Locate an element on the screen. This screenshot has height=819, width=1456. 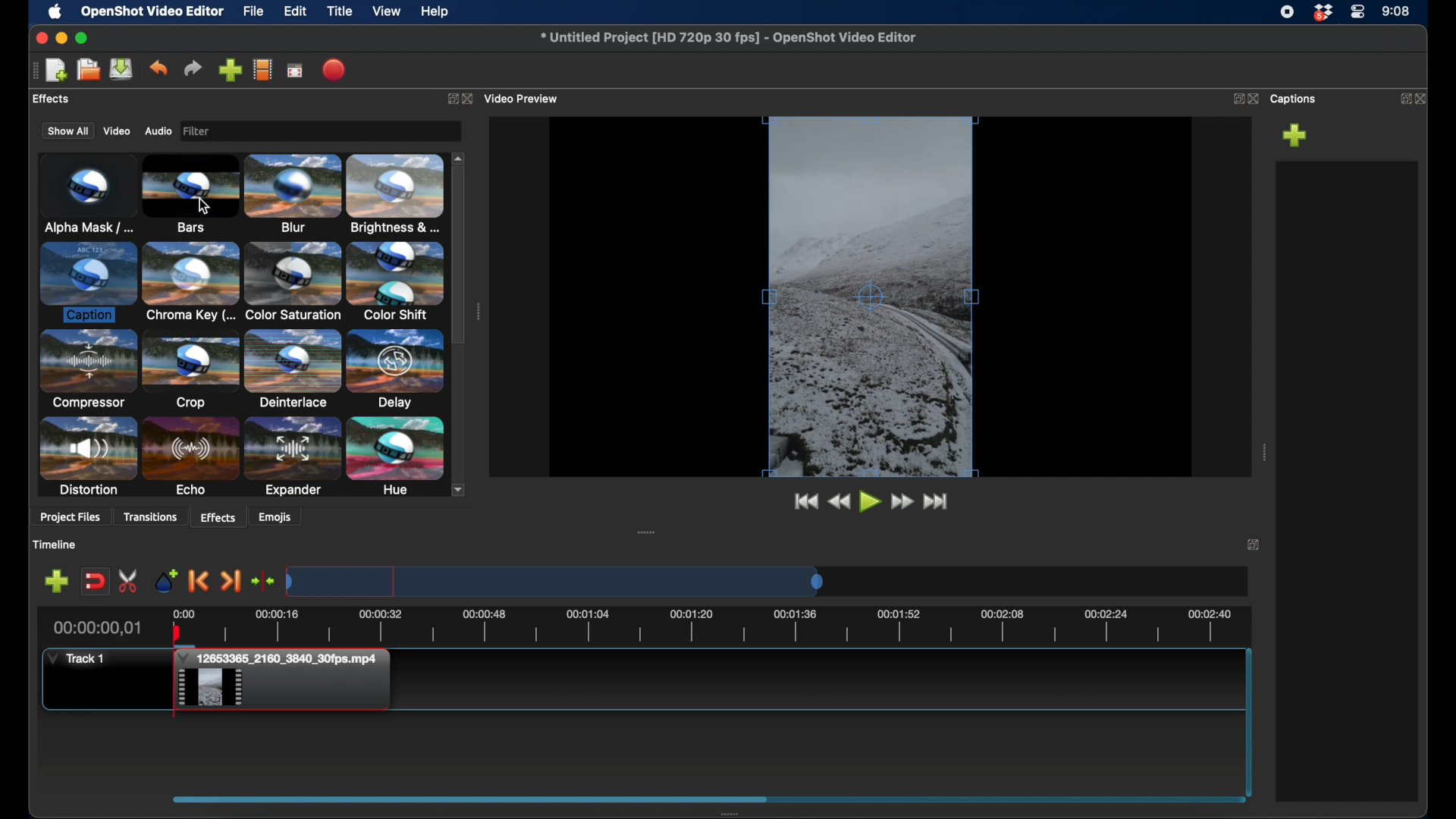
0.00 is located at coordinates (182, 612).